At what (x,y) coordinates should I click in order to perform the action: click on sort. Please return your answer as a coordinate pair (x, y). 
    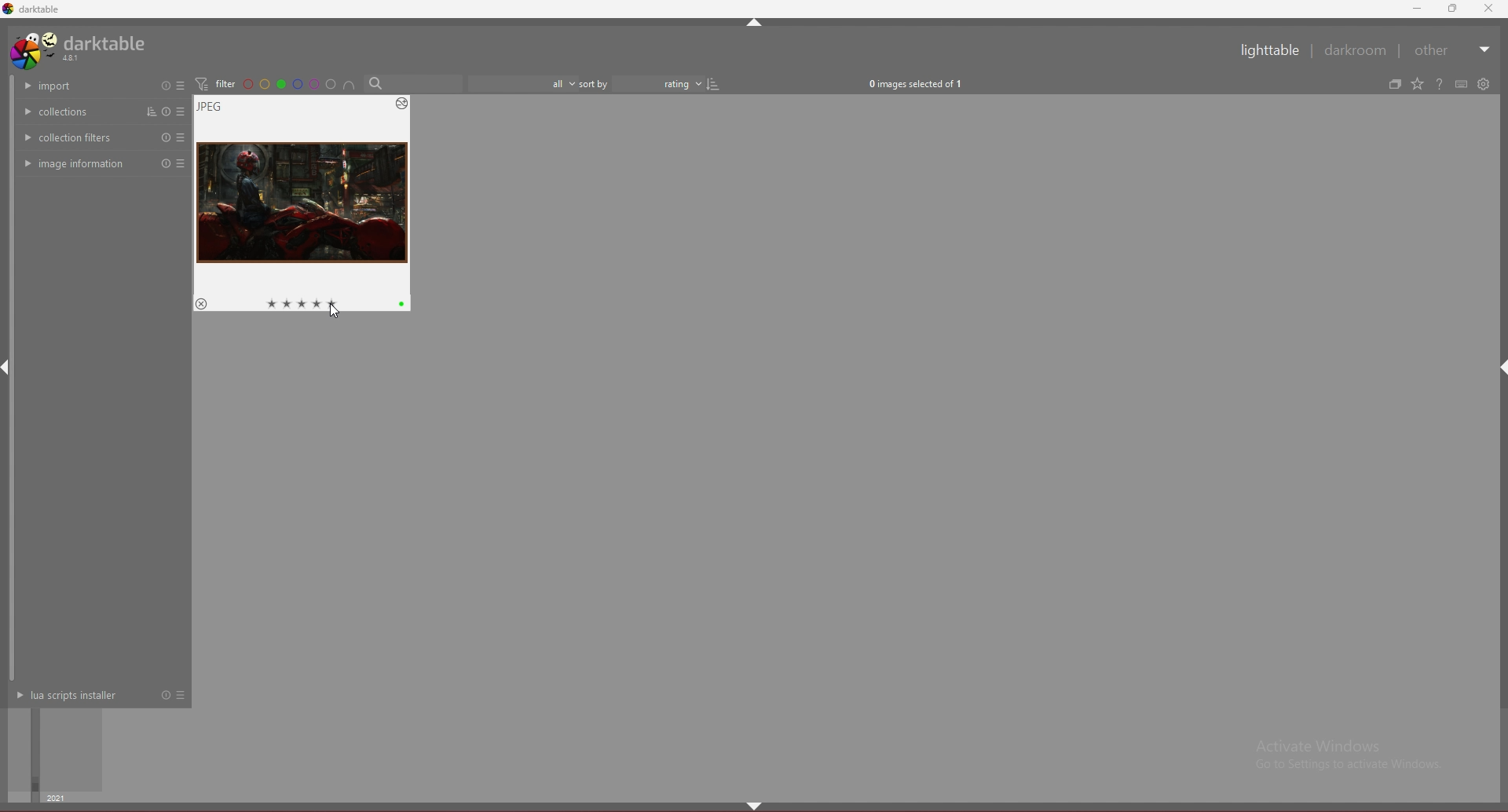
    Looking at the image, I should click on (152, 112).